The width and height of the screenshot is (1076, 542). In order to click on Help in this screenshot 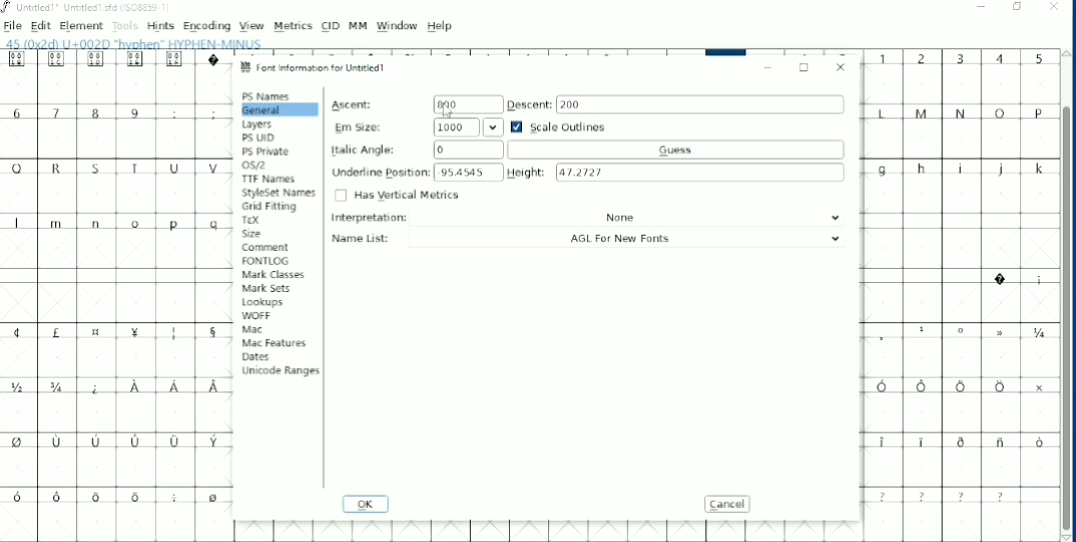, I will do `click(441, 26)`.